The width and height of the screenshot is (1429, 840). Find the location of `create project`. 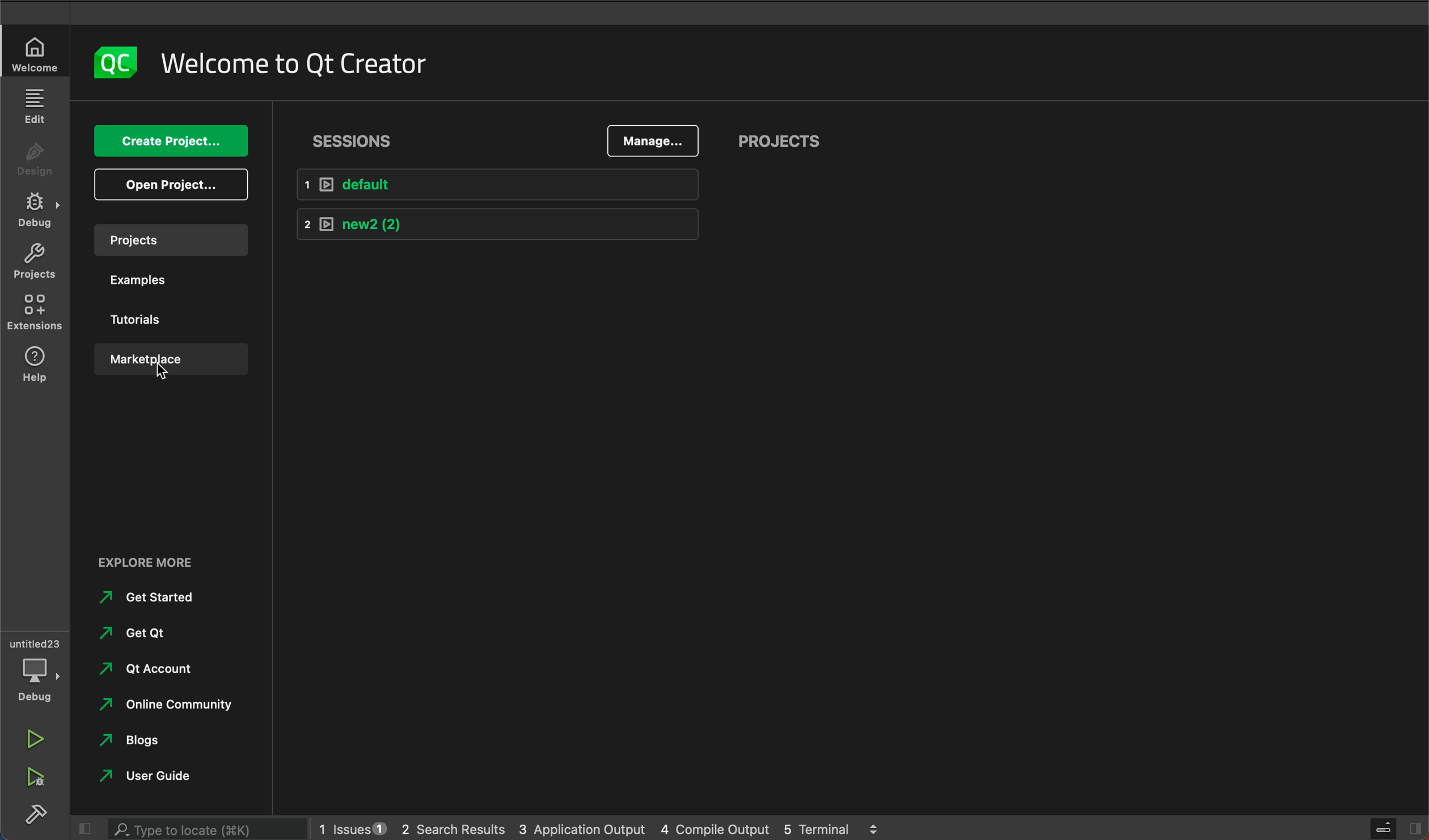

create project is located at coordinates (169, 140).